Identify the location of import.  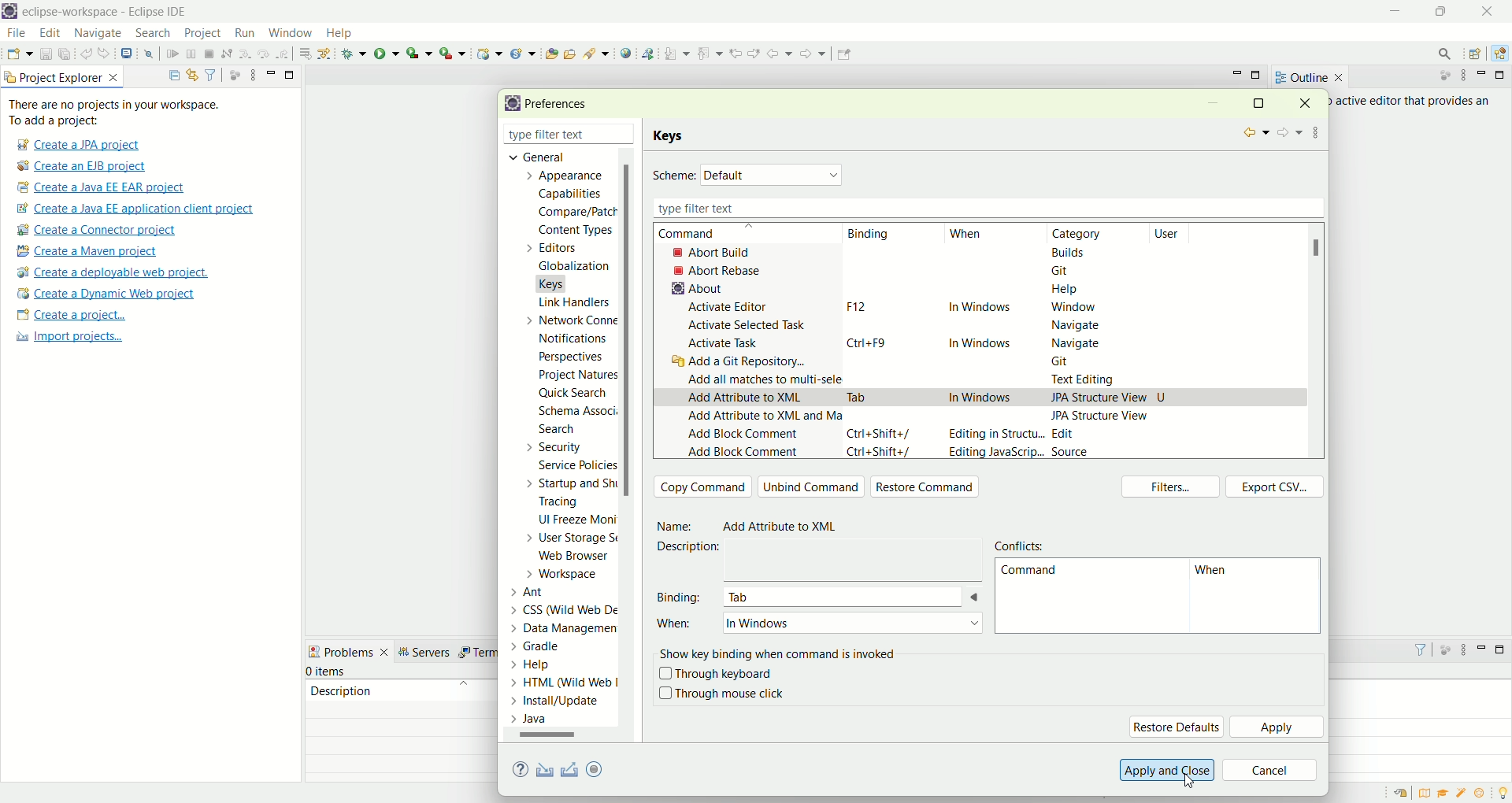
(542, 771).